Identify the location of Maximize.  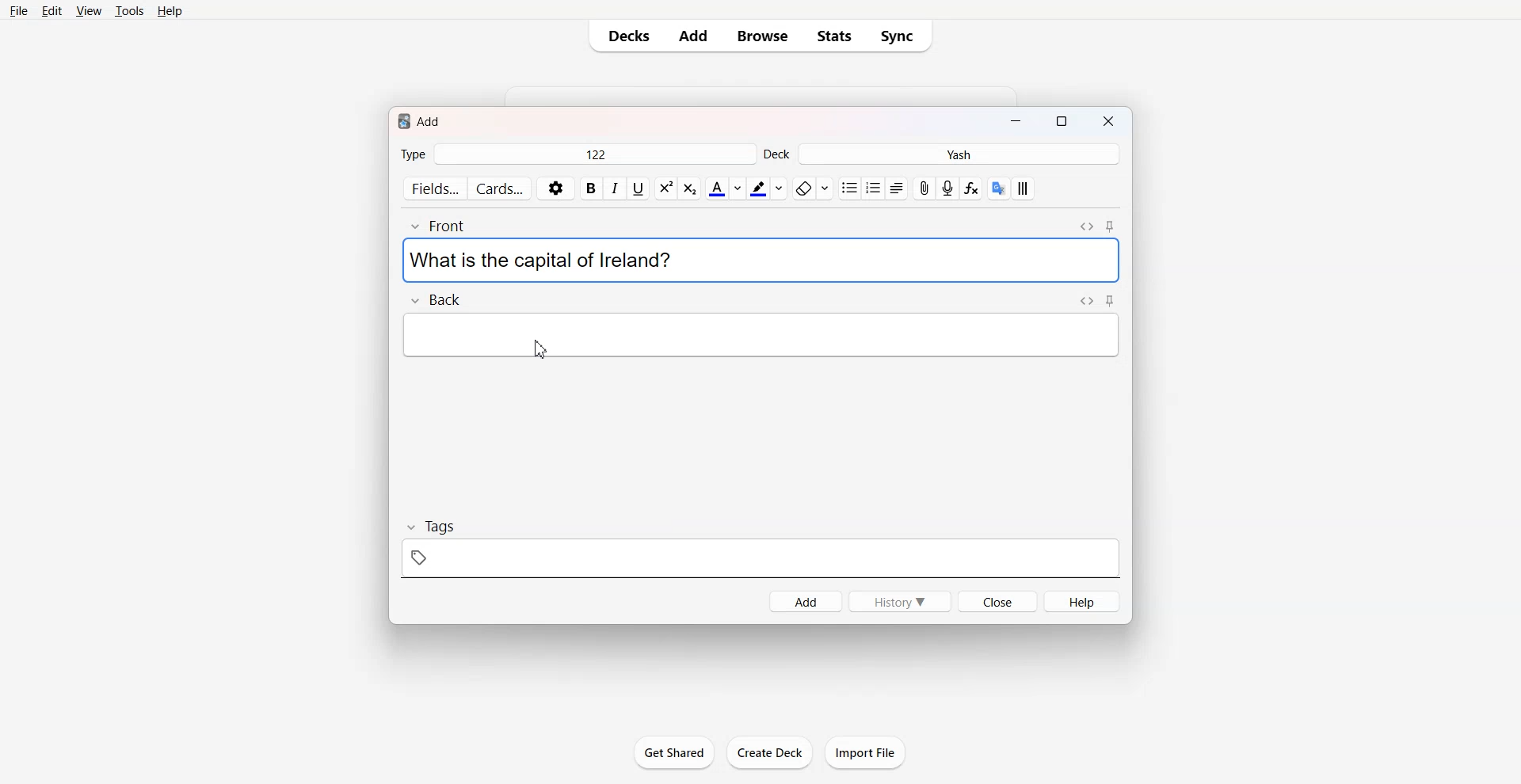
(1065, 123).